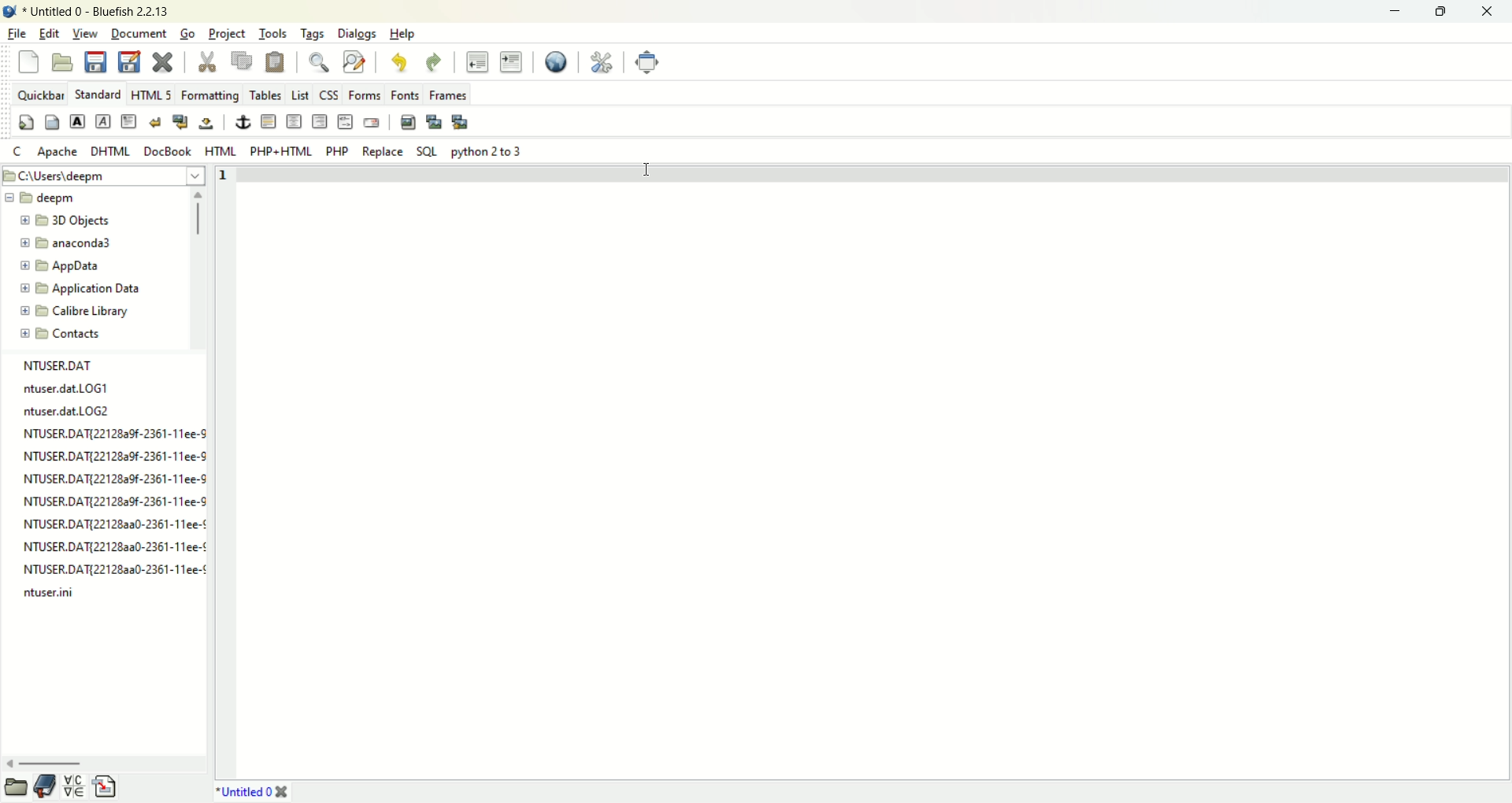 The height and width of the screenshot is (803, 1512). What do you see at coordinates (448, 94) in the screenshot?
I see `frames` at bounding box center [448, 94].